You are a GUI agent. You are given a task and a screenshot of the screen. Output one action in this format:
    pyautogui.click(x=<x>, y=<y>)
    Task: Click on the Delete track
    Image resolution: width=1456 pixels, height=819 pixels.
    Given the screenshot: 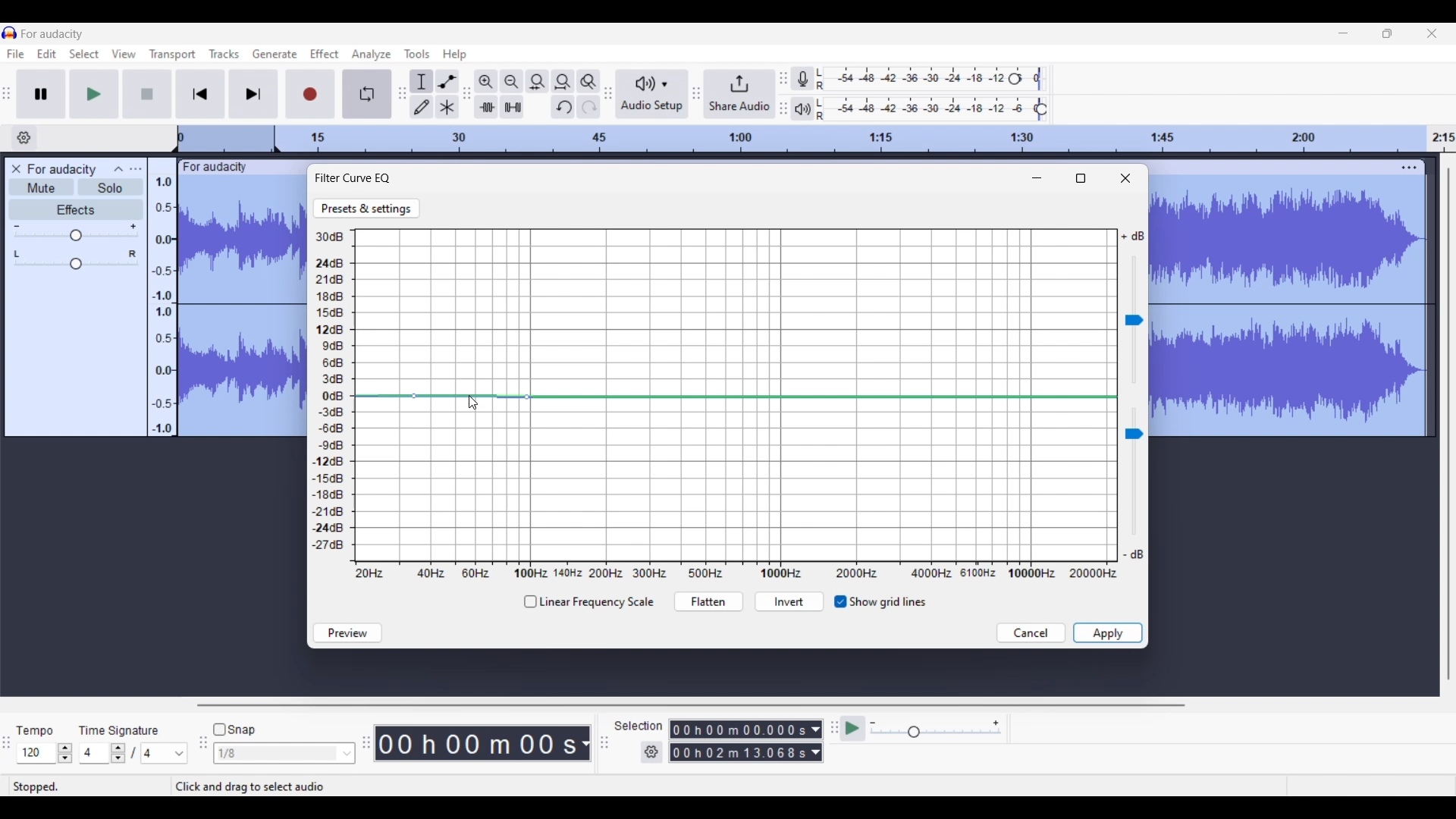 What is the action you would take?
    pyautogui.click(x=18, y=169)
    